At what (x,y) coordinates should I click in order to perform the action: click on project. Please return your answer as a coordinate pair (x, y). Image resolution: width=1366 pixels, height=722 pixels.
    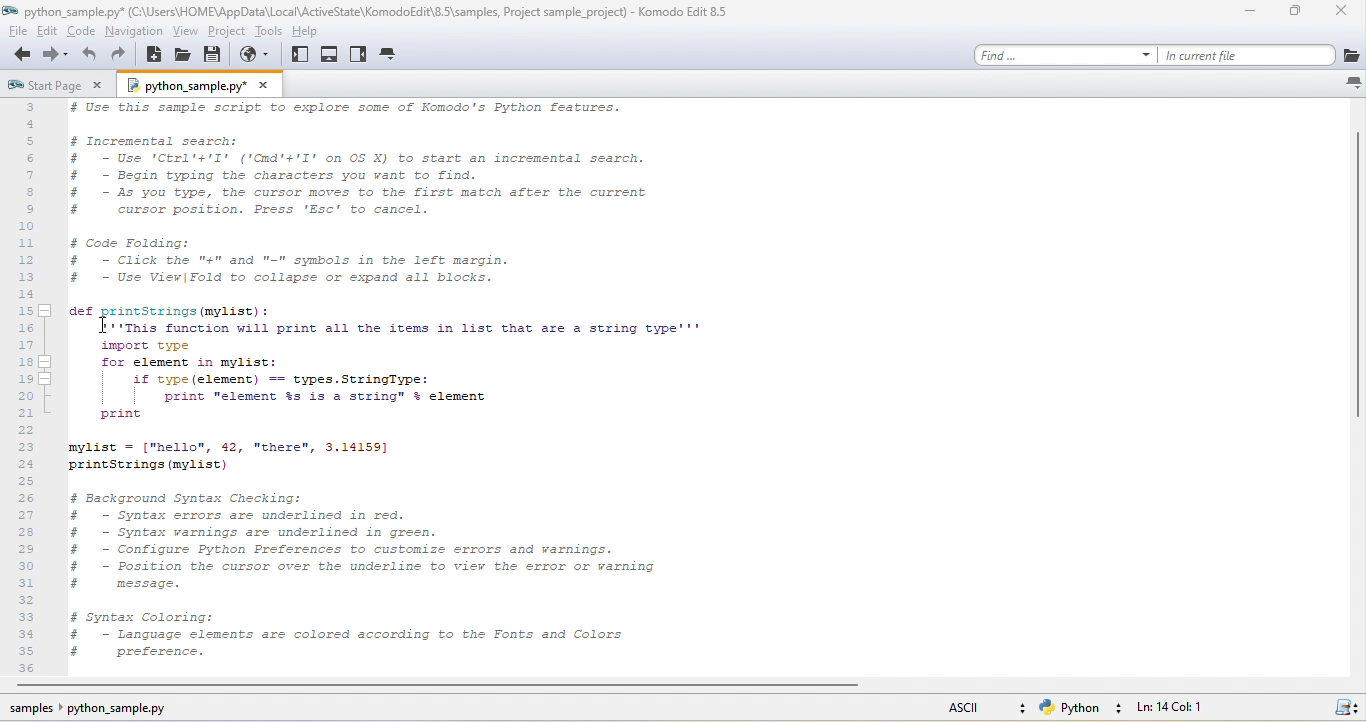
    Looking at the image, I should click on (228, 32).